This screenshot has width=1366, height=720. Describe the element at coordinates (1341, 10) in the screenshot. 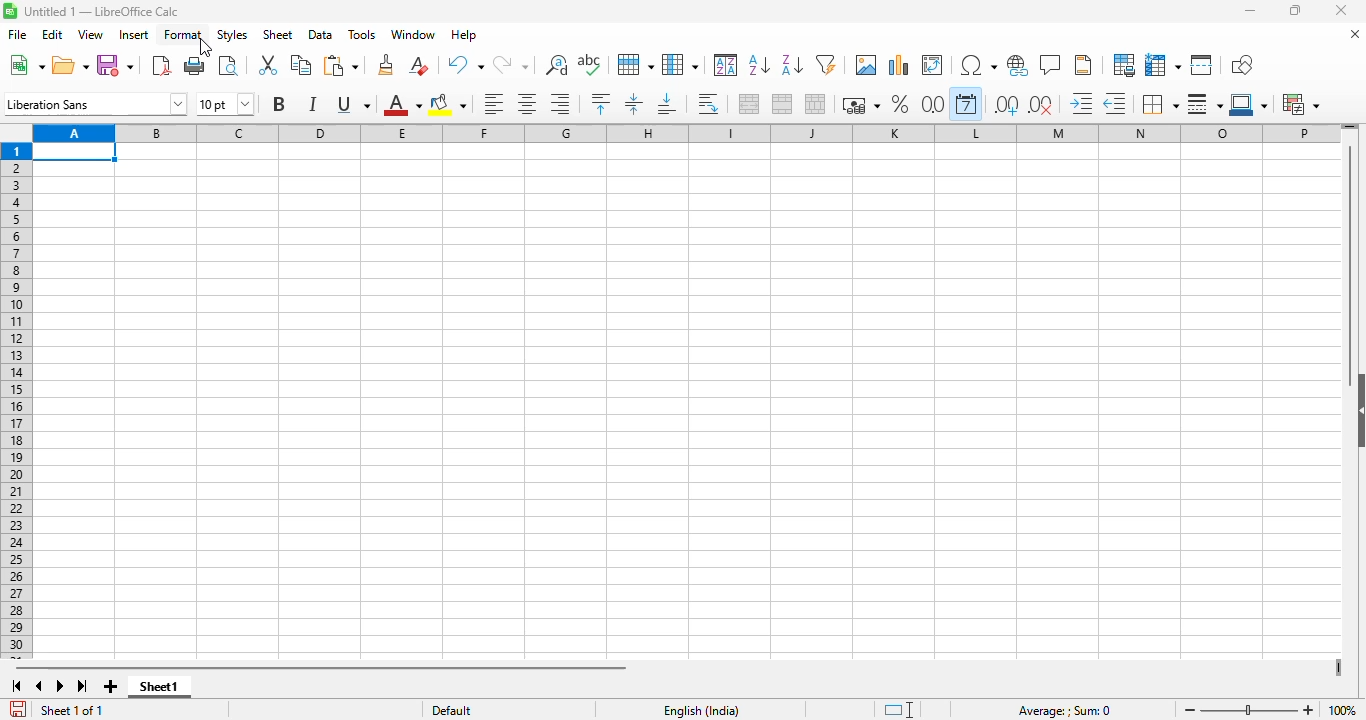

I see `close` at that location.